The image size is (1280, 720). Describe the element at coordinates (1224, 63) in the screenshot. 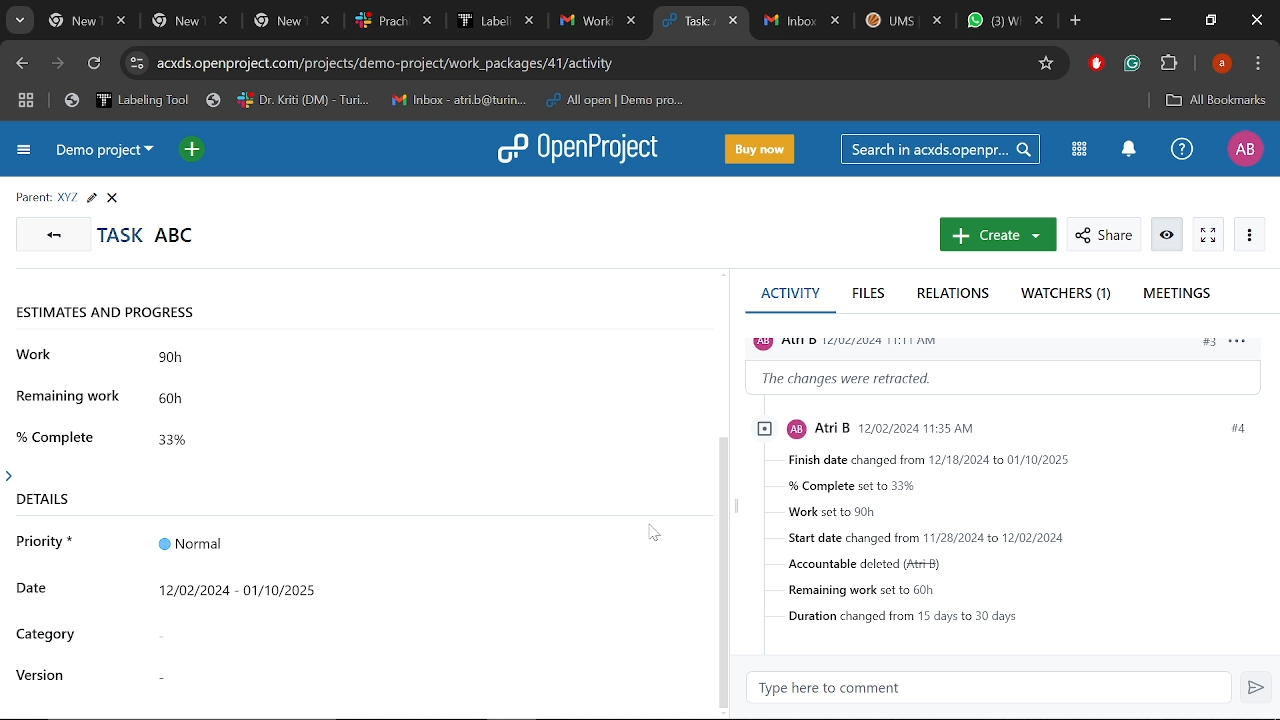

I see `Profile` at that location.